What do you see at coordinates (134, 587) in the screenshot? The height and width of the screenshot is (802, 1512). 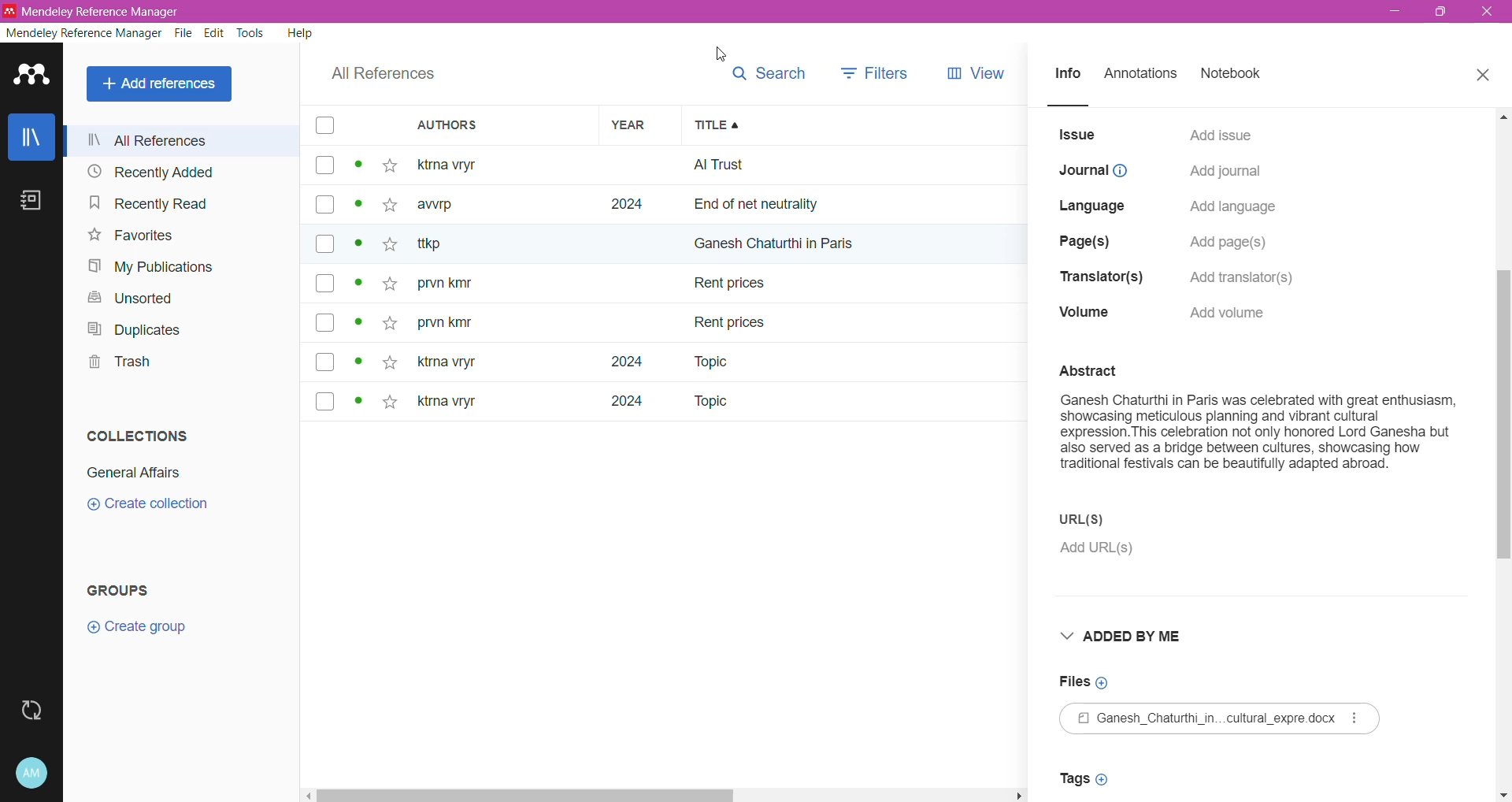 I see `Groups` at bounding box center [134, 587].